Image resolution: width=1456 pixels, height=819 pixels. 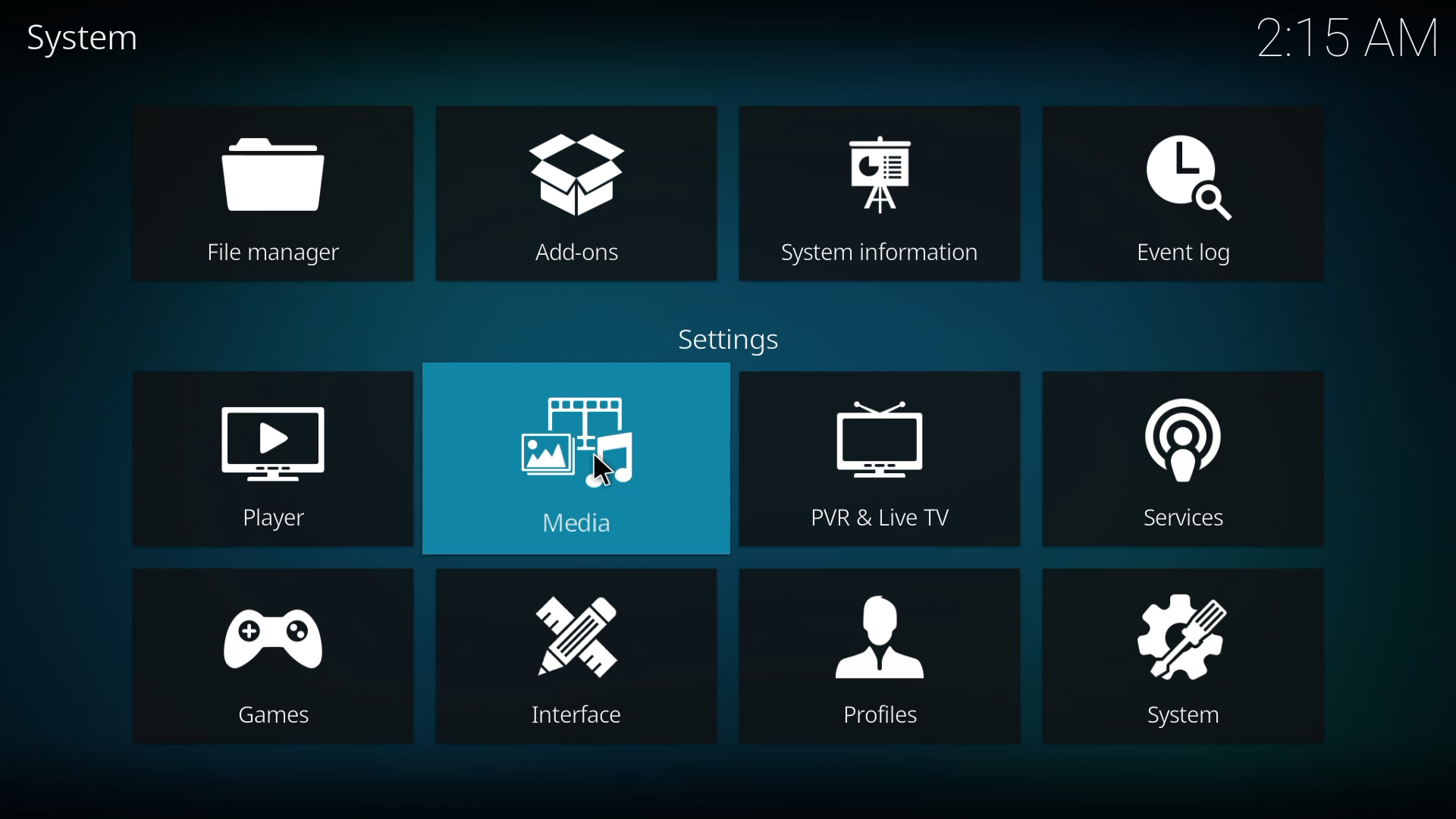 What do you see at coordinates (276, 458) in the screenshot?
I see `player` at bounding box center [276, 458].